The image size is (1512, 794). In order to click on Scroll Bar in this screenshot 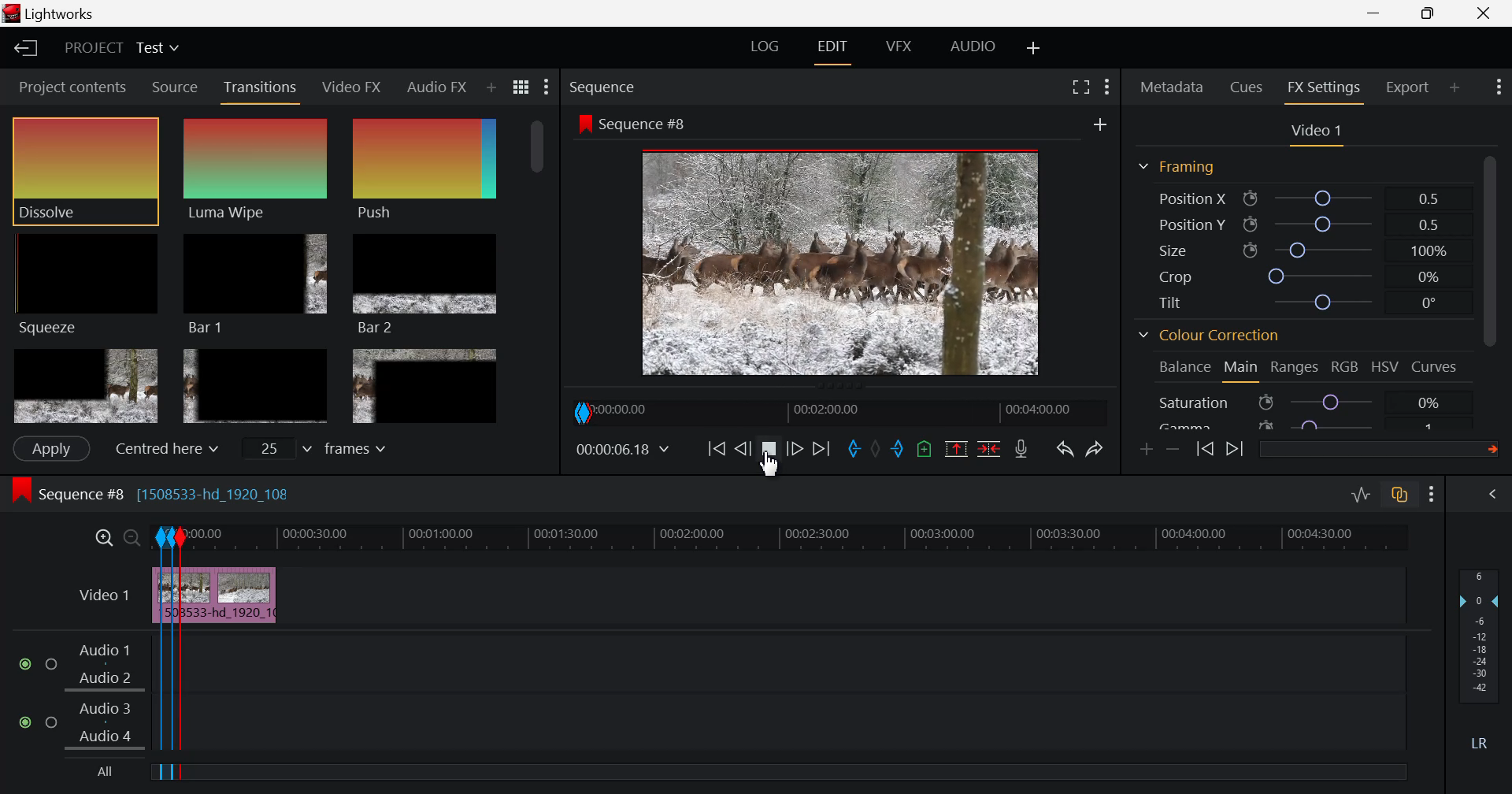, I will do `click(539, 270)`.